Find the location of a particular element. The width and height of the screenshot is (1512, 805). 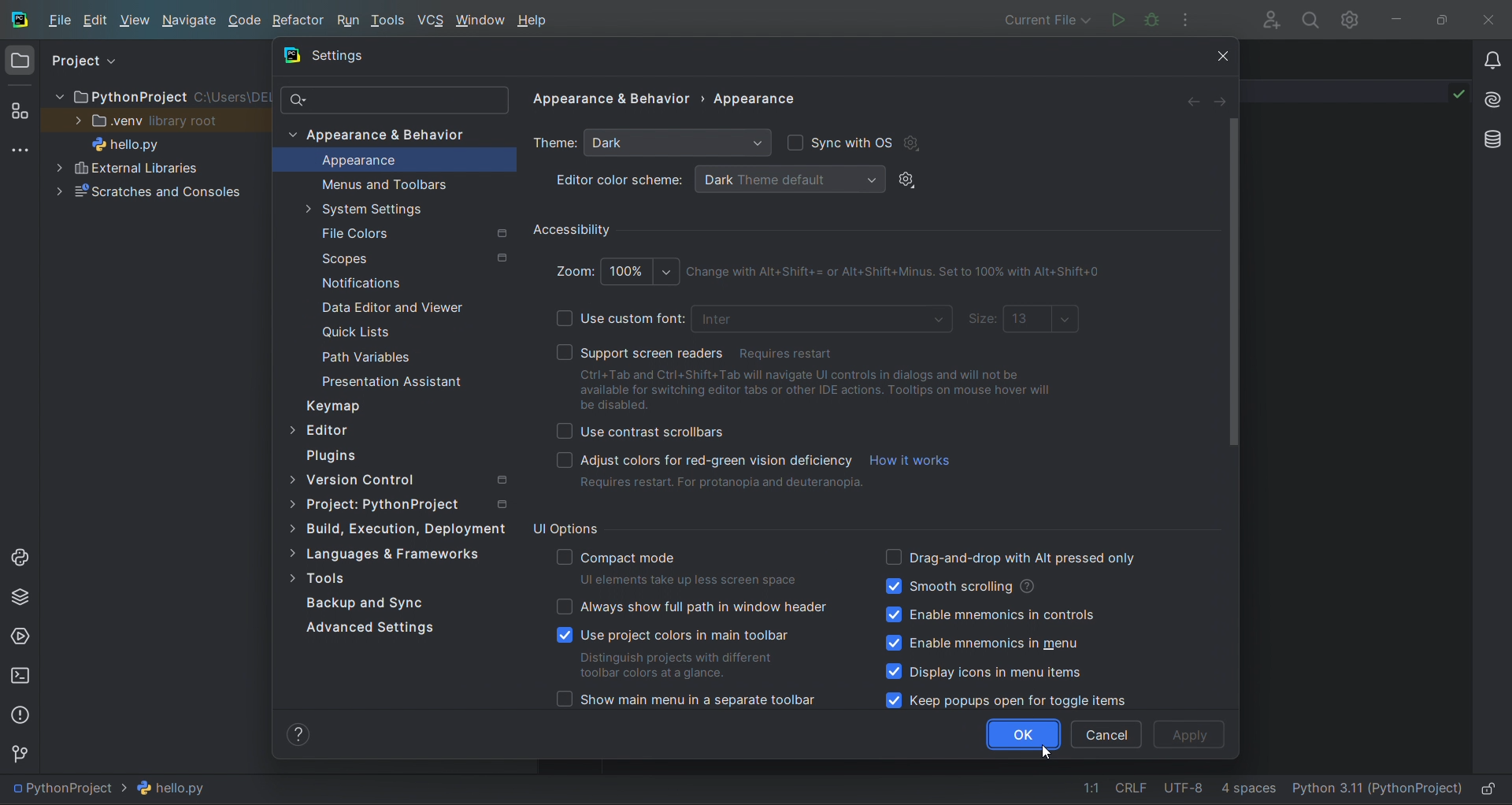

dropdown is located at coordinates (643, 270).